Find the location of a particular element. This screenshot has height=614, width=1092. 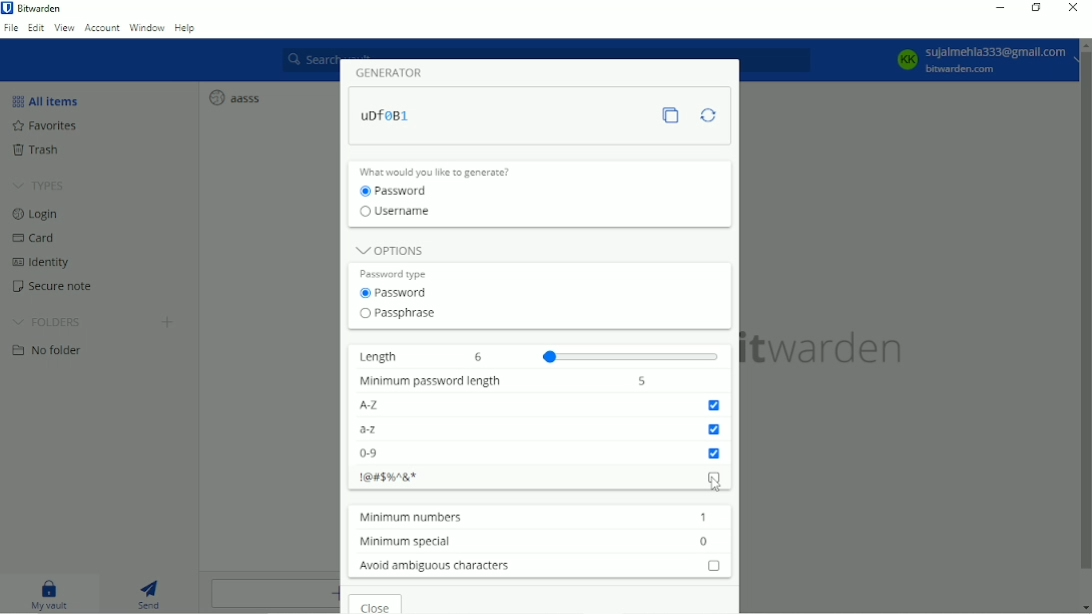

Regenerate password is located at coordinates (707, 115).